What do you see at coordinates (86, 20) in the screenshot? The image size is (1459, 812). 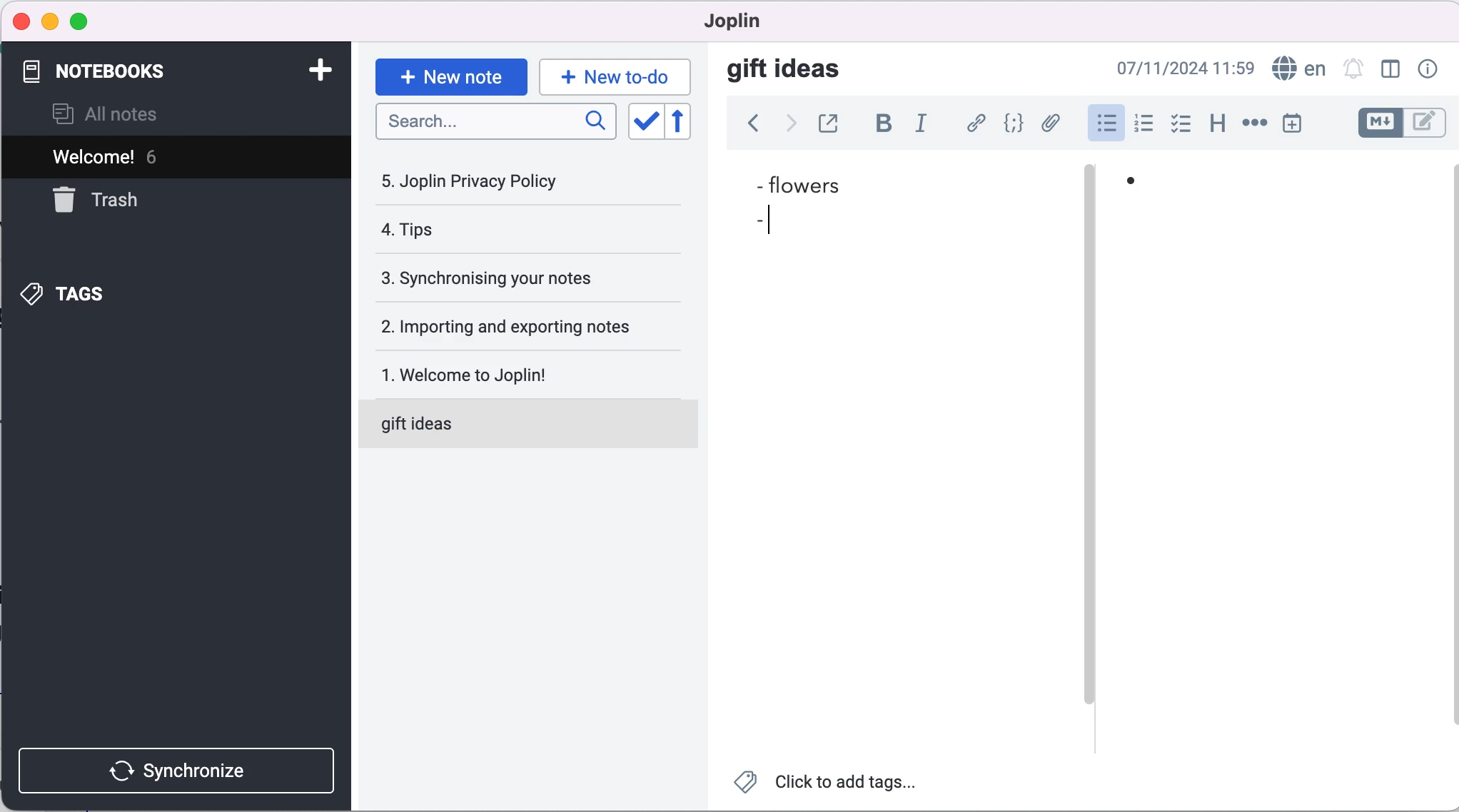 I see `maximize` at bounding box center [86, 20].